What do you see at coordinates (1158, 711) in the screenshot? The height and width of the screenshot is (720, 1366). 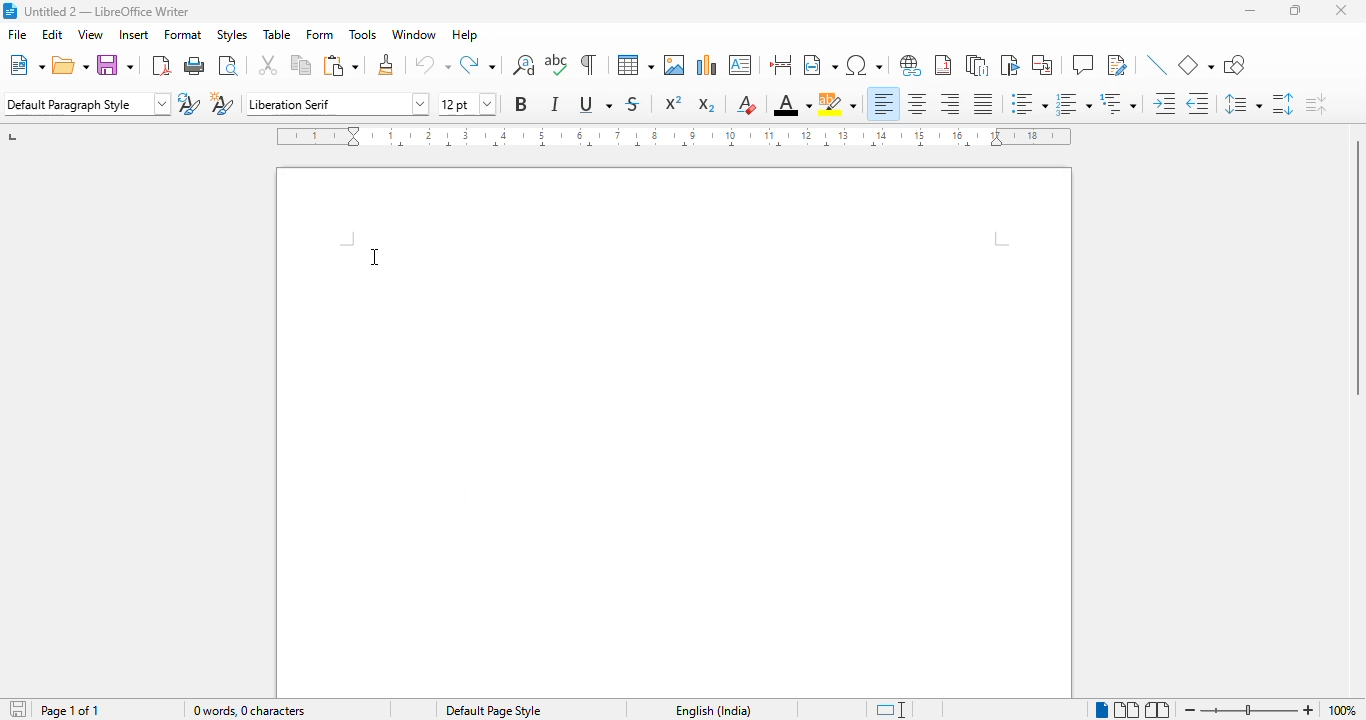 I see `book view` at bounding box center [1158, 711].